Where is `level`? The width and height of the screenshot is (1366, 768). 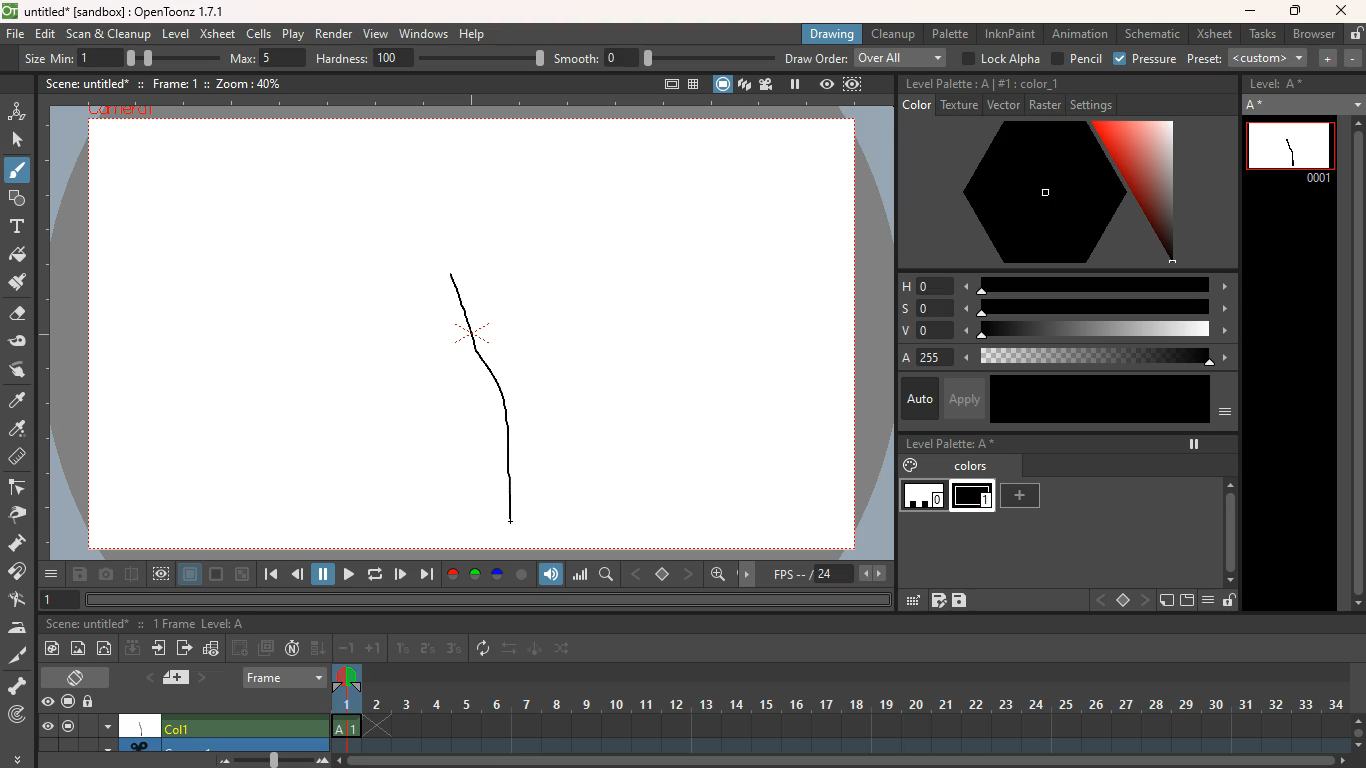 level is located at coordinates (924, 498).